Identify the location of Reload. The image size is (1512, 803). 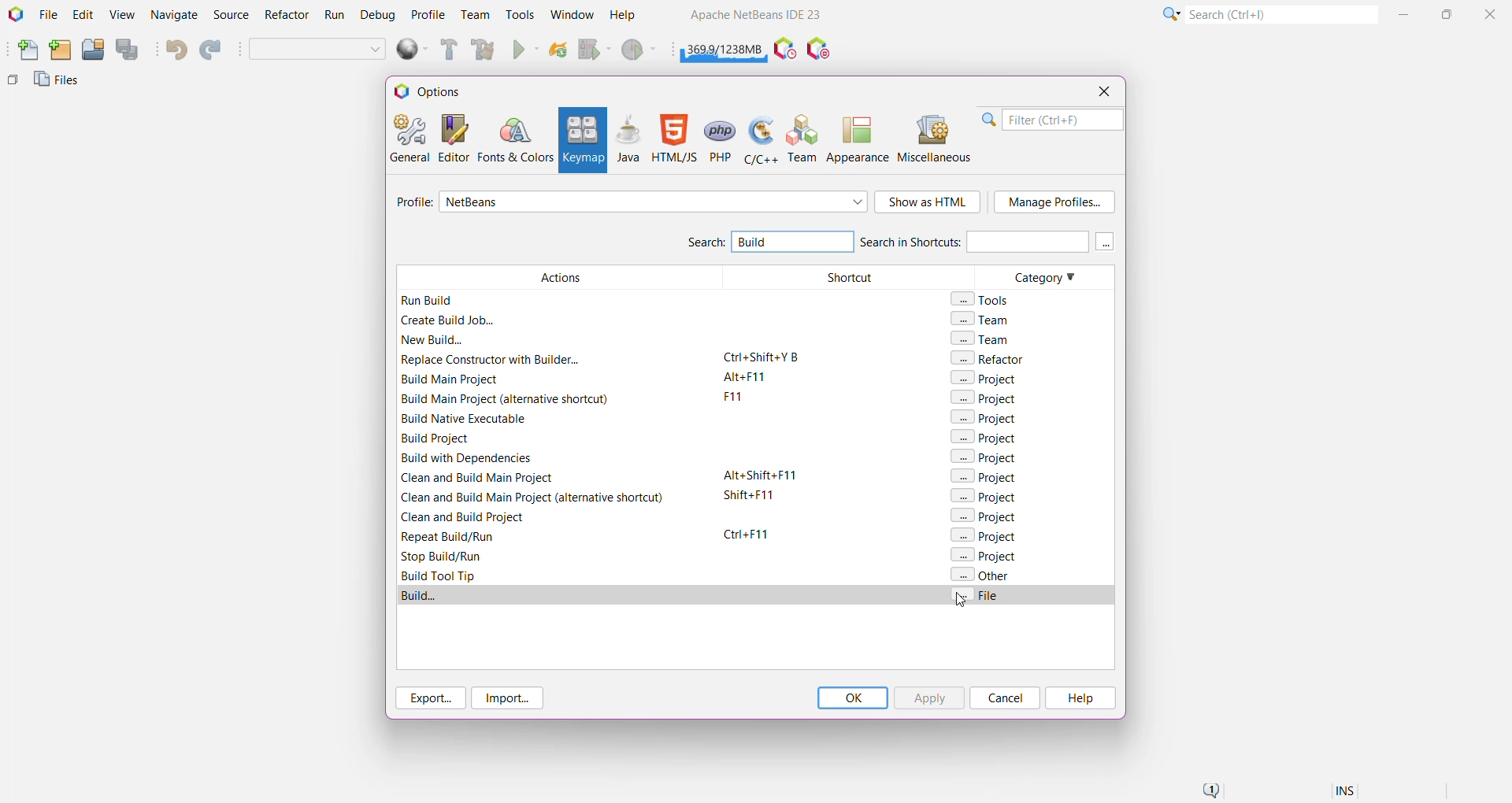
(558, 51).